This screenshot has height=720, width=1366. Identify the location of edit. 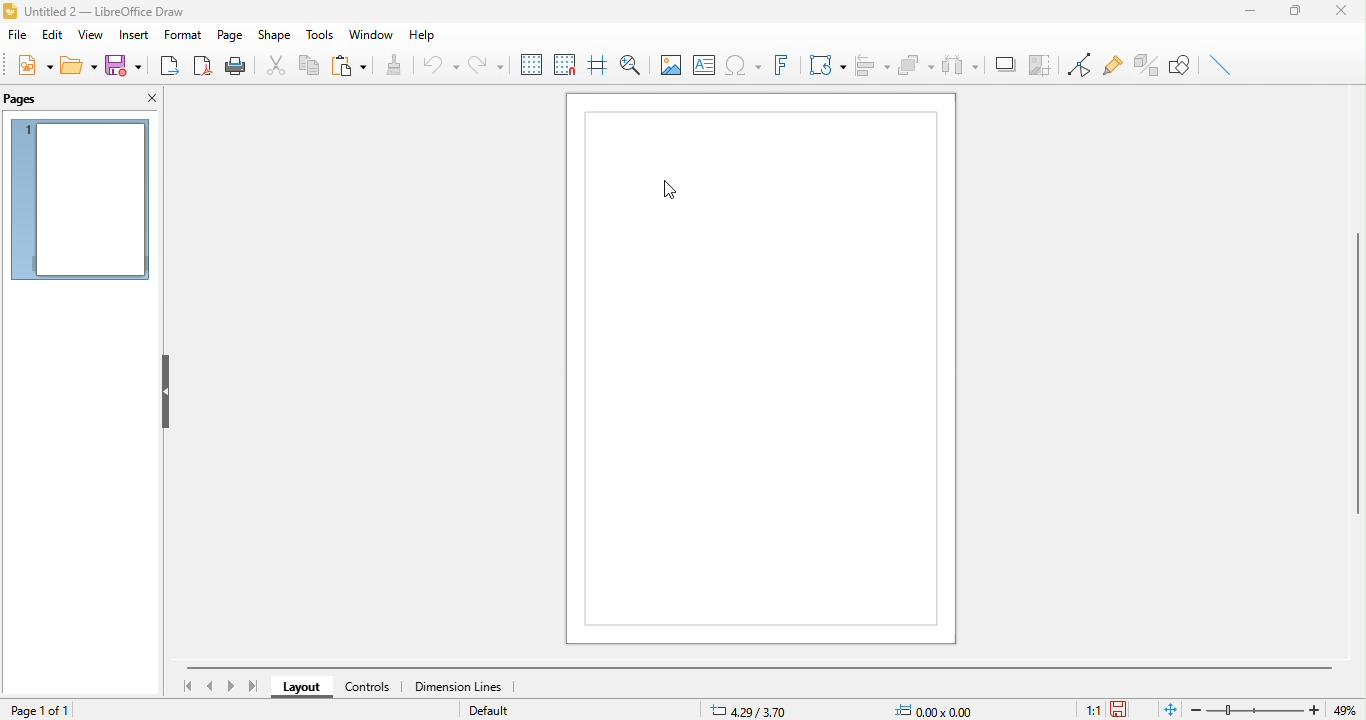
(48, 37).